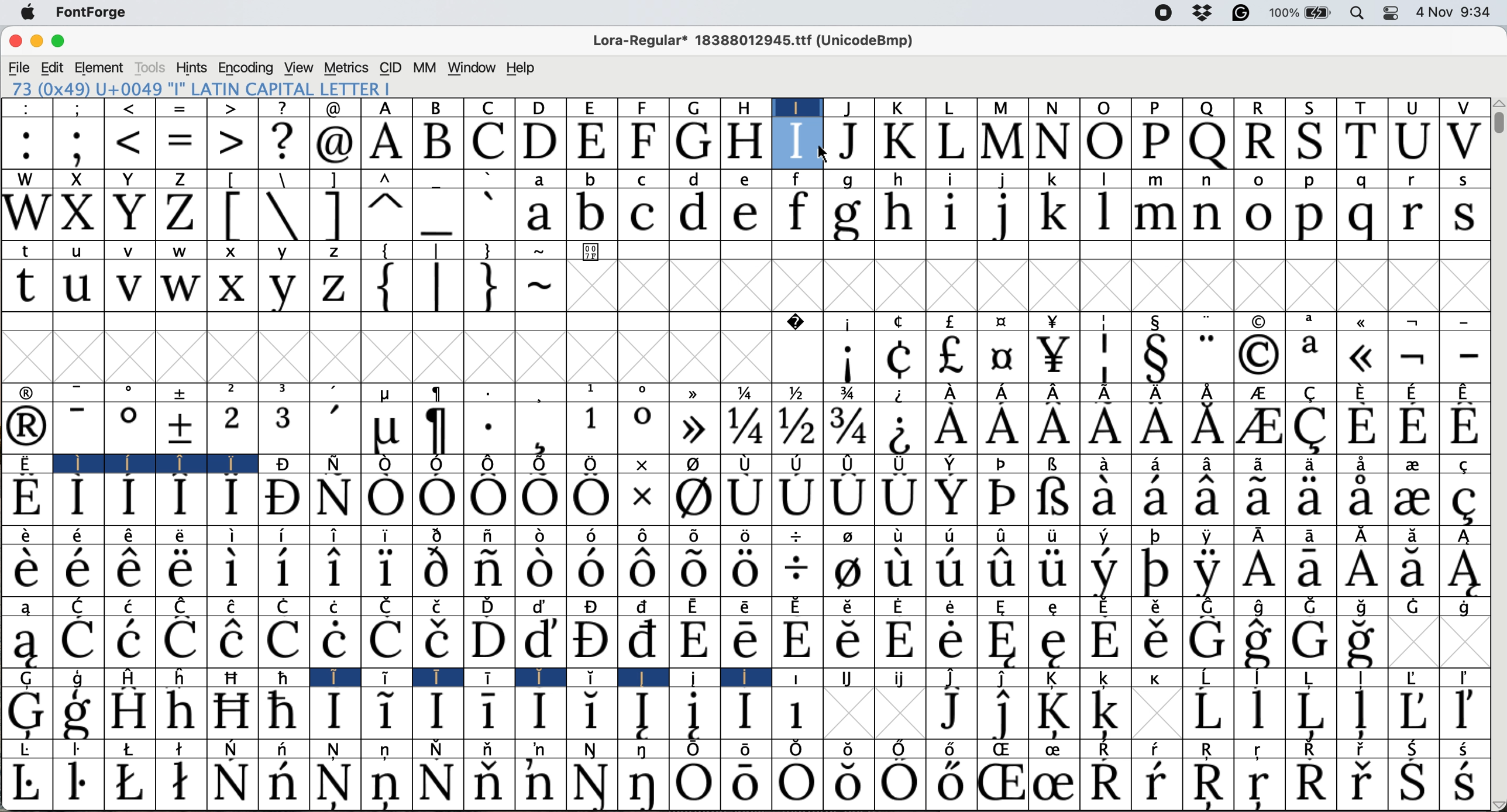  I want to click on Symbol, so click(338, 535).